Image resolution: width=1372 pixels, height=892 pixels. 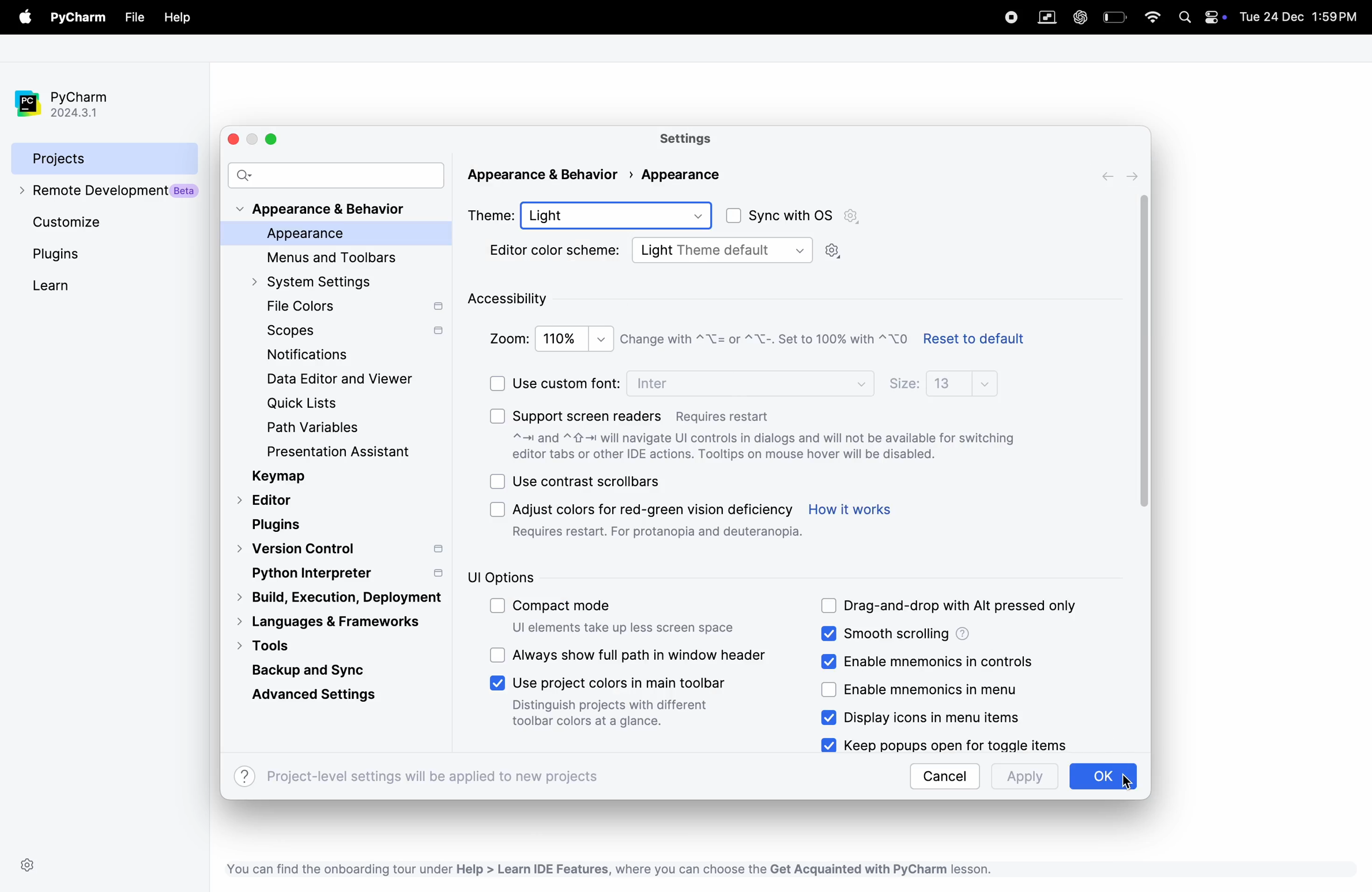 I want to click on Zoom, so click(x=506, y=338).